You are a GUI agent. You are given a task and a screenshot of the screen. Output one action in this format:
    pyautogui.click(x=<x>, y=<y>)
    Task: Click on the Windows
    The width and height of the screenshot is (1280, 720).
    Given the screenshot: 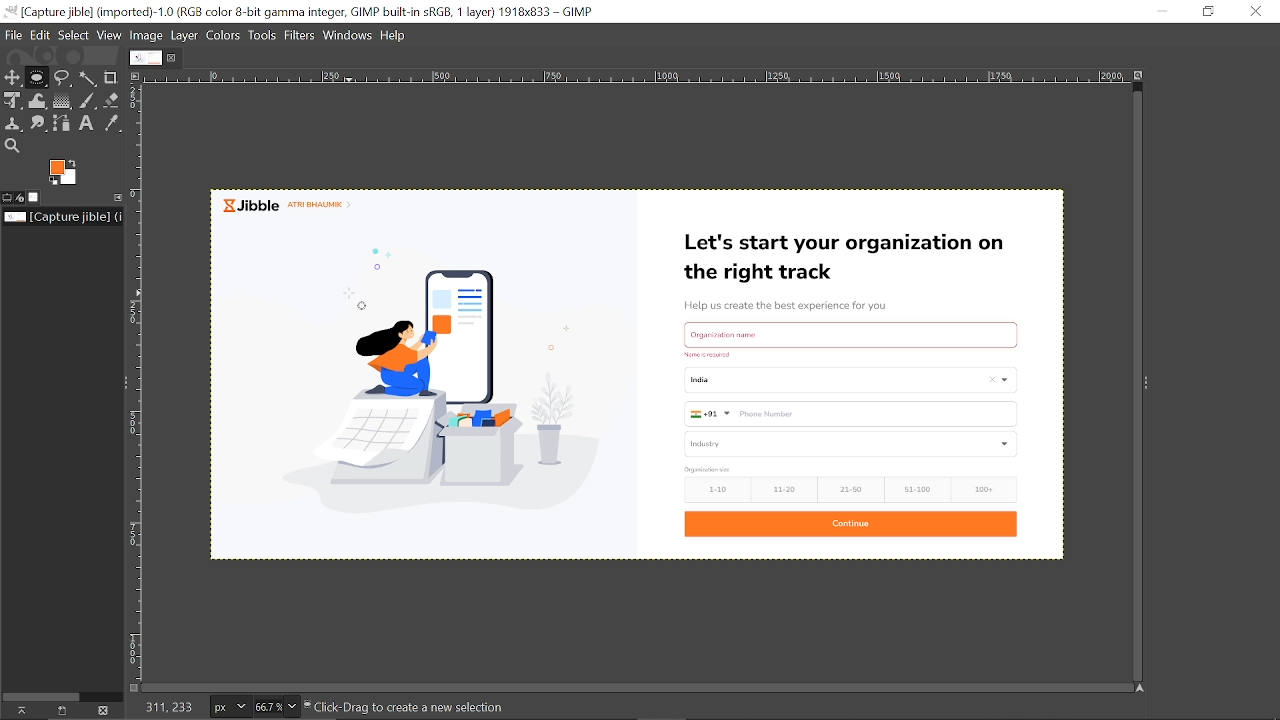 What is the action you would take?
    pyautogui.click(x=349, y=35)
    